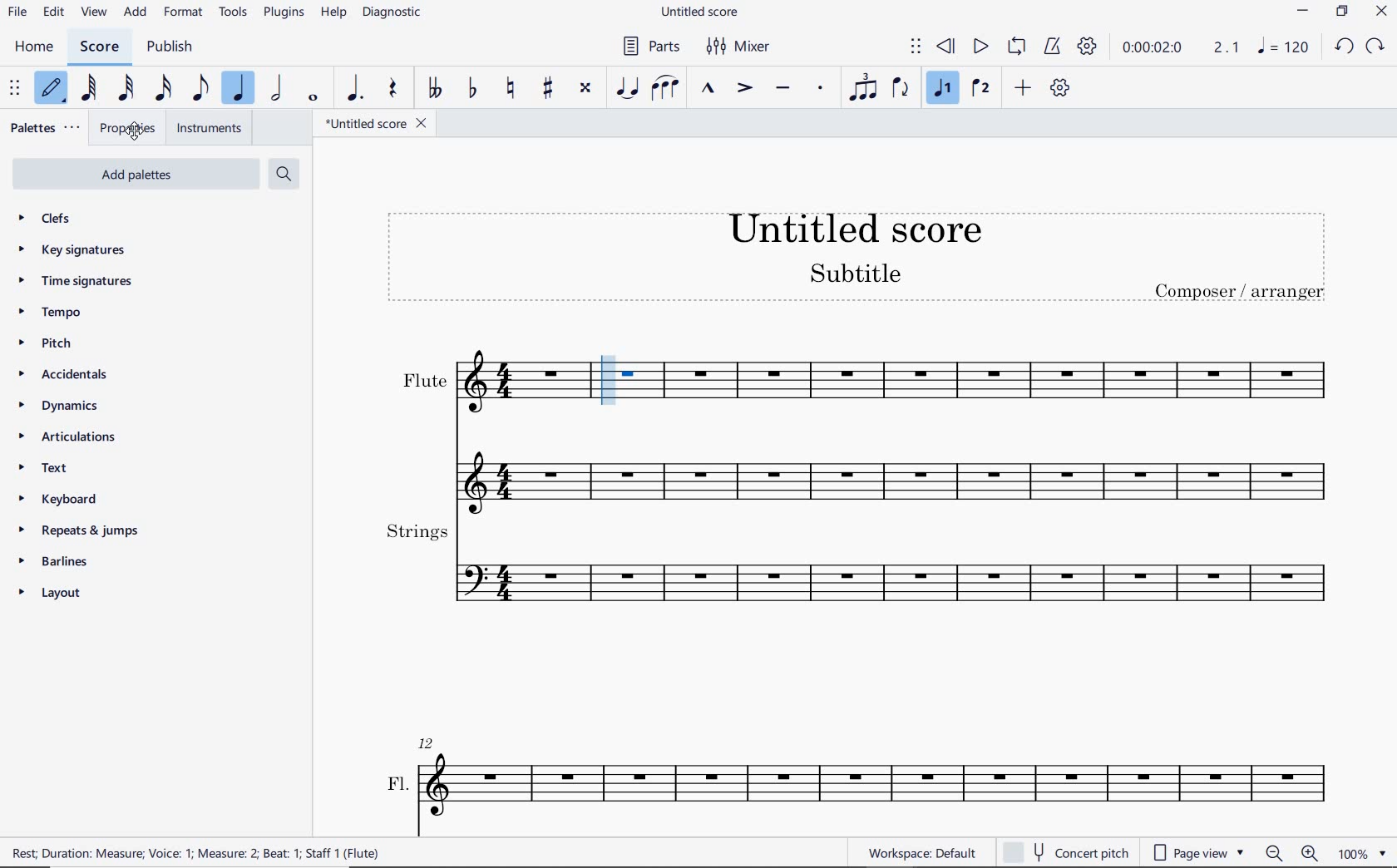 The image size is (1397, 868). I want to click on MARCATO, so click(708, 90).